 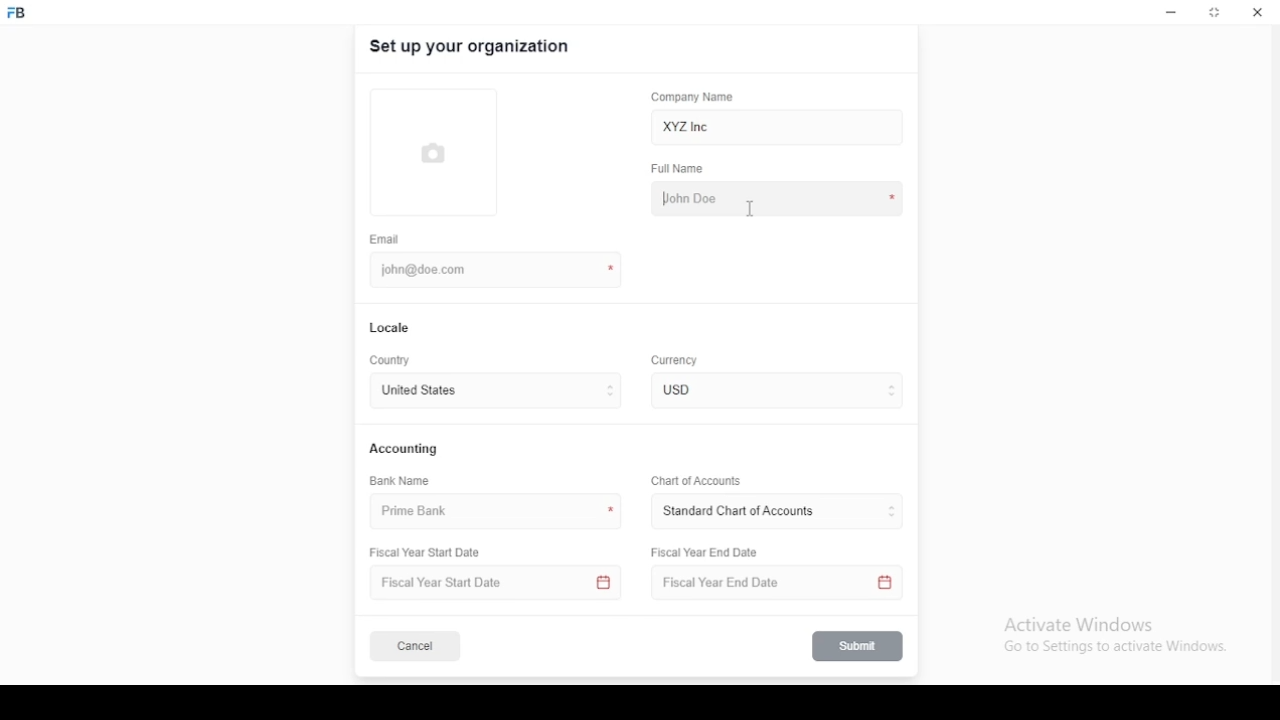 What do you see at coordinates (751, 209) in the screenshot?
I see `mouse pointer` at bounding box center [751, 209].